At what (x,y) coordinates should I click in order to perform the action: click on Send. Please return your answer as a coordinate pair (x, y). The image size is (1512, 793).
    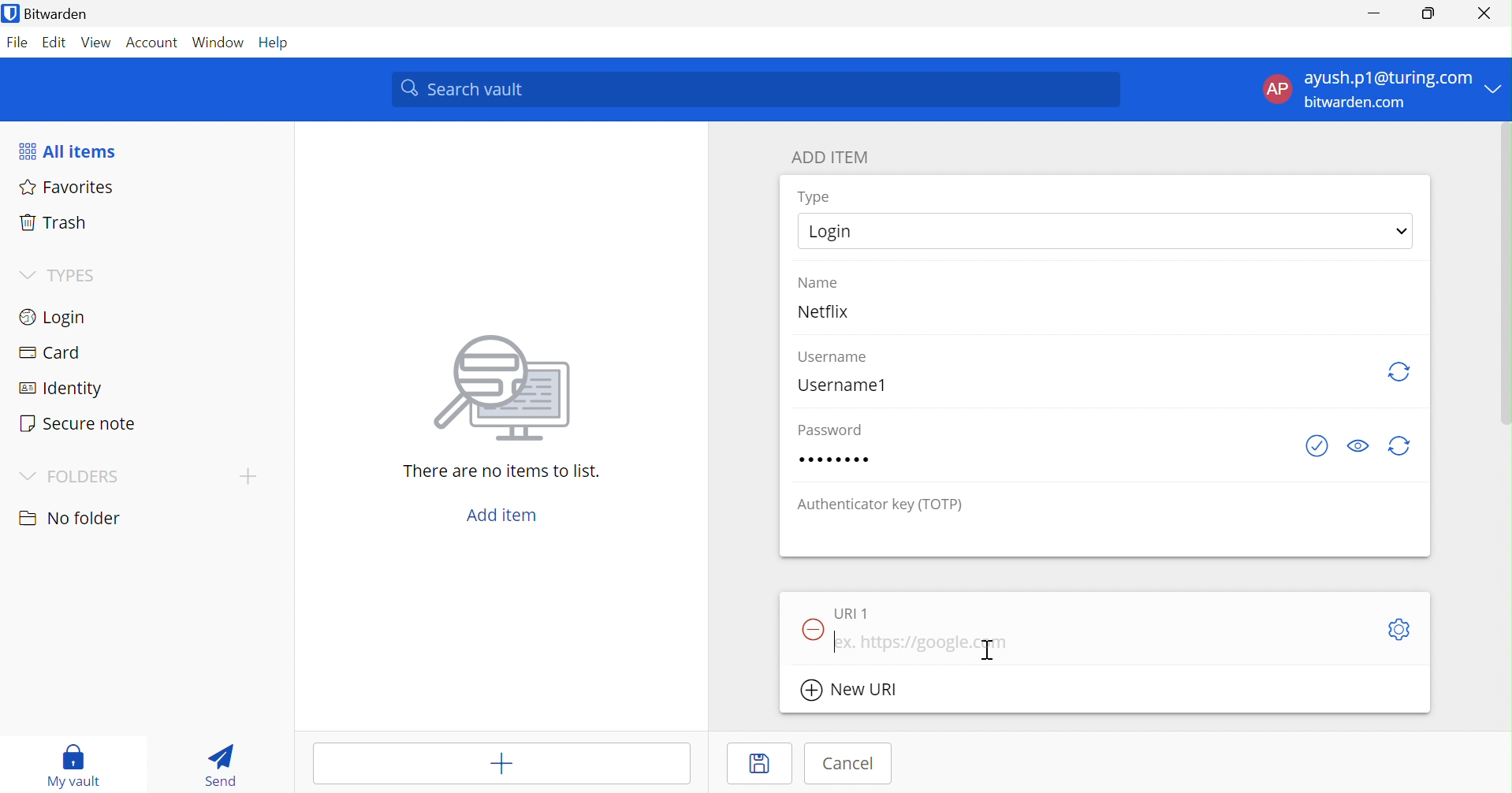
    Looking at the image, I should click on (220, 768).